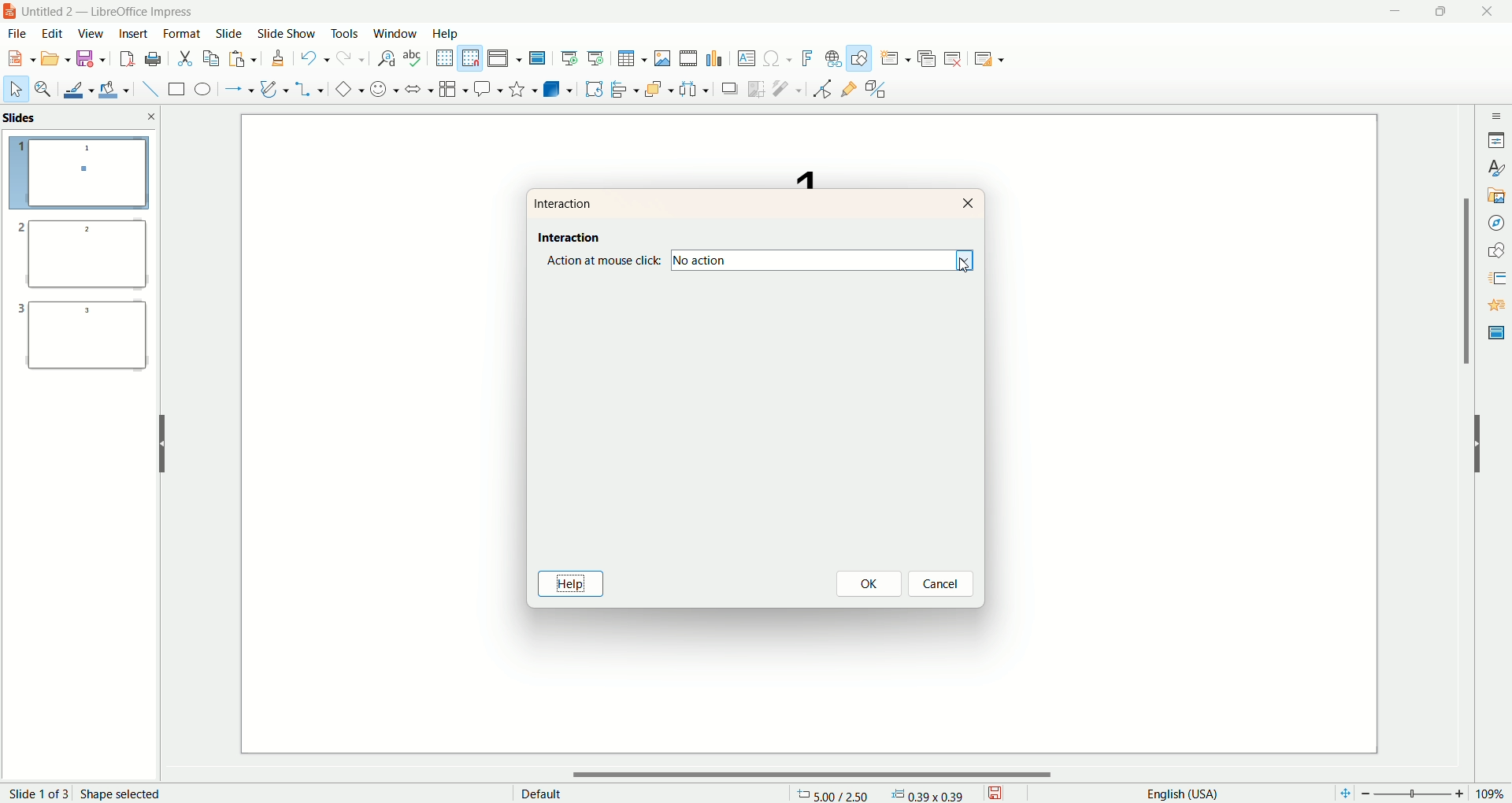 Image resolution: width=1512 pixels, height=803 pixels. Describe the element at coordinates (833, 794) in the screenshot. I see `coordinates` at that location.